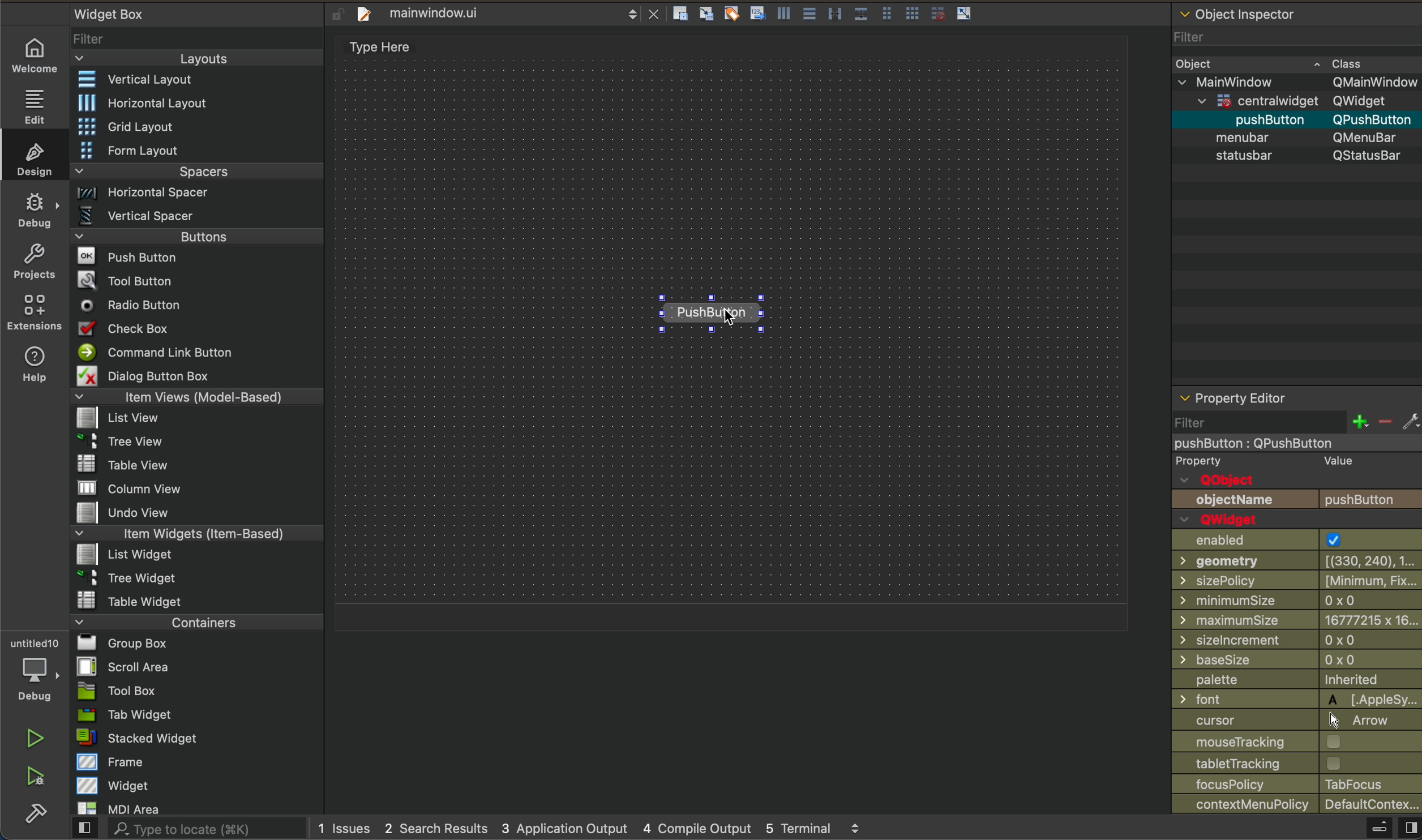 This screenshot has height=840, width=1422. Describe the element at coordinates (33, 368) in the screenshot. I see `help` at that location.